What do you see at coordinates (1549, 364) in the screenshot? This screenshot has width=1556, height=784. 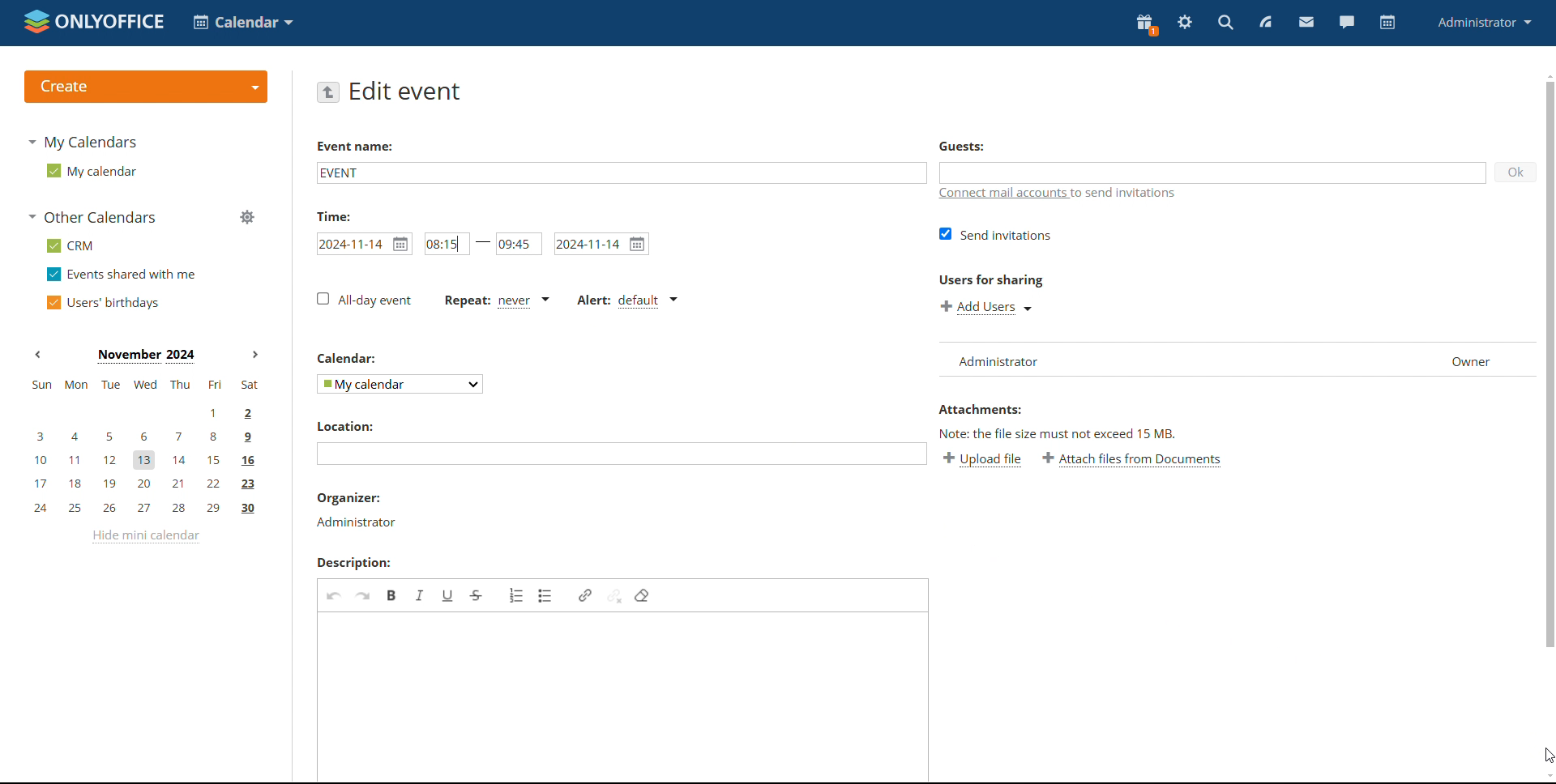 I see `scrollbar` at bounding box center [1549, 364].